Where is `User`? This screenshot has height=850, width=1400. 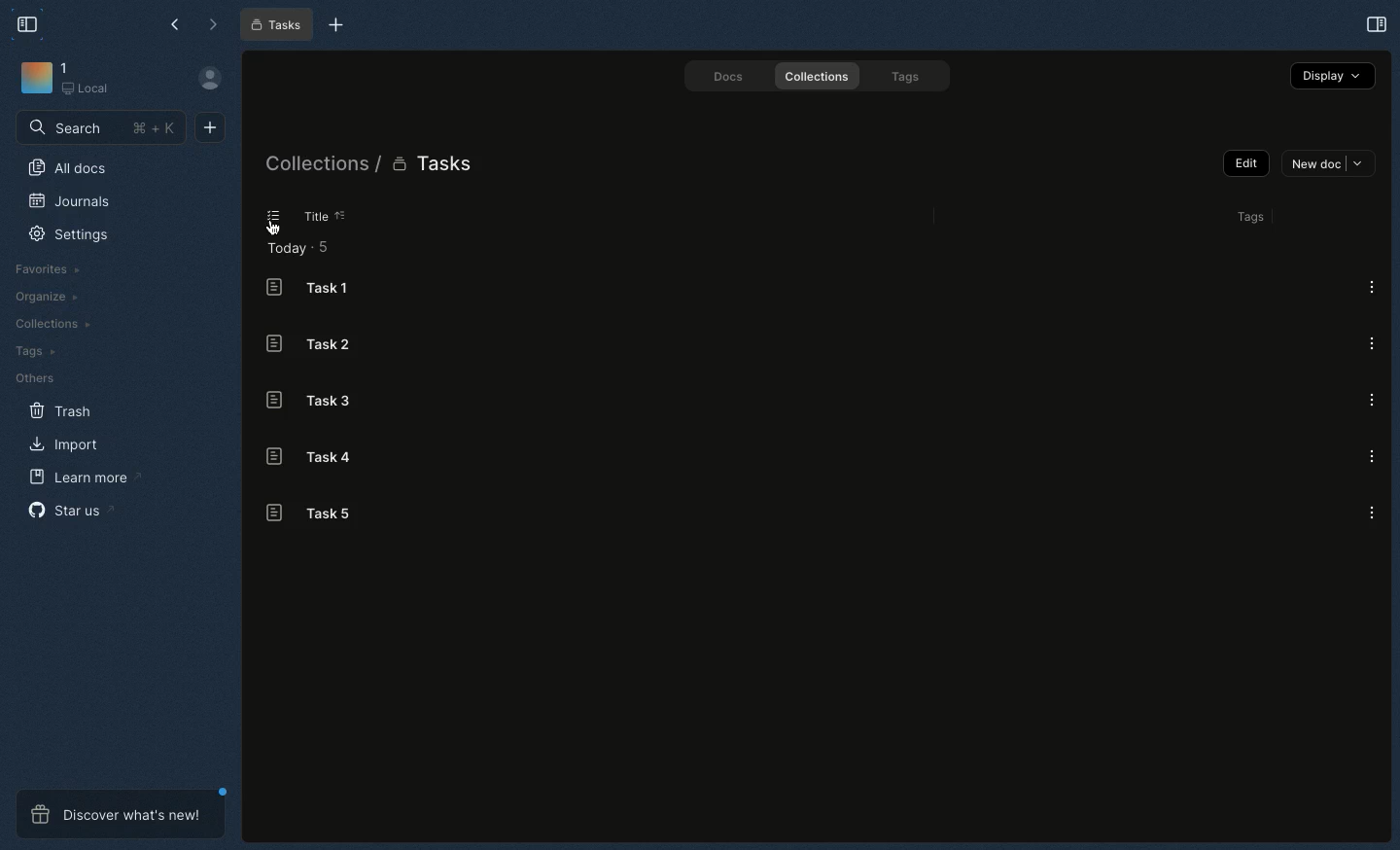
User is located at coordinates (211, 81).